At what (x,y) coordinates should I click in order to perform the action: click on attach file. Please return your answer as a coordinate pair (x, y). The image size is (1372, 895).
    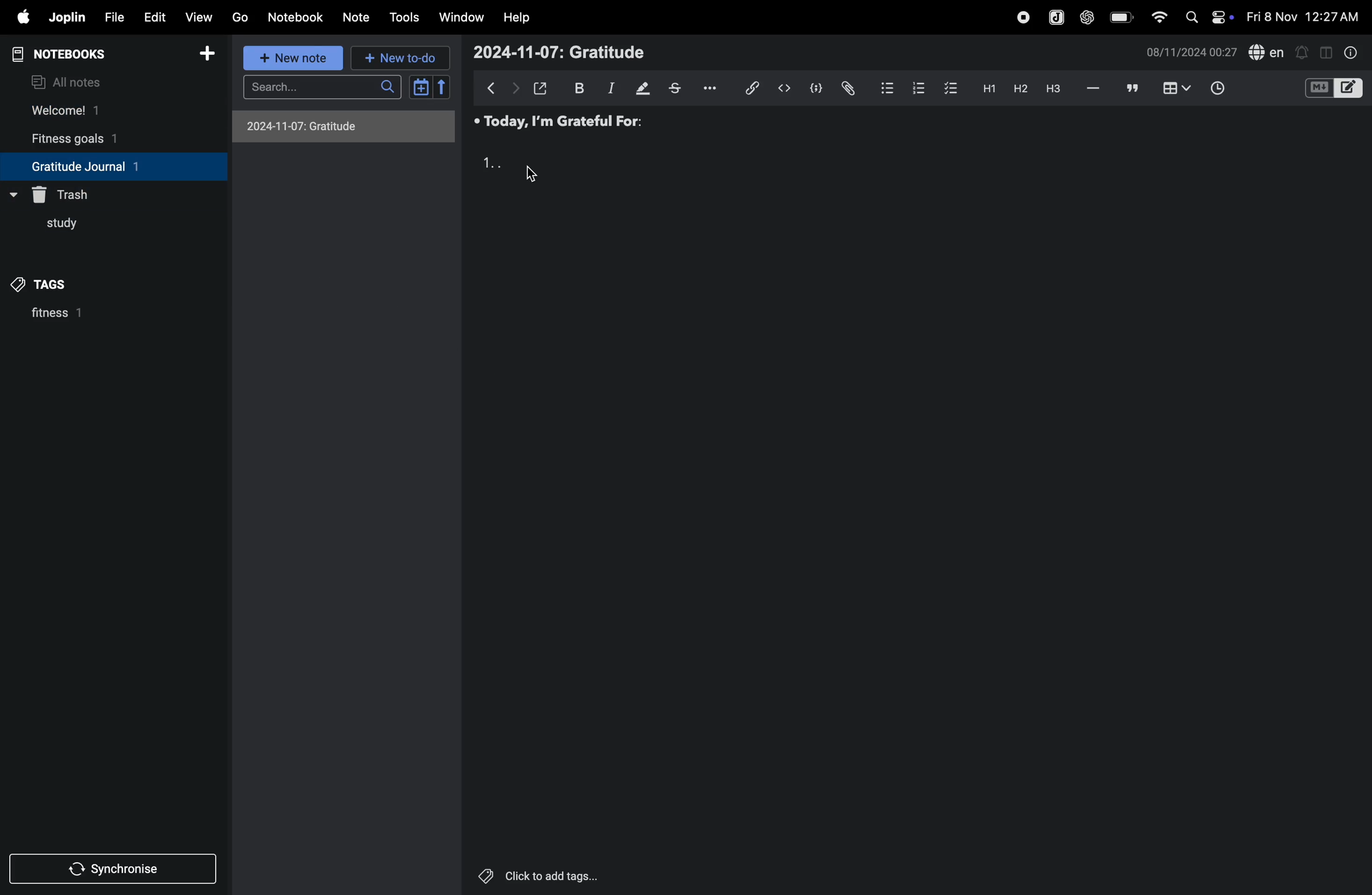
    Looking at the image, I should click on (847, 88).